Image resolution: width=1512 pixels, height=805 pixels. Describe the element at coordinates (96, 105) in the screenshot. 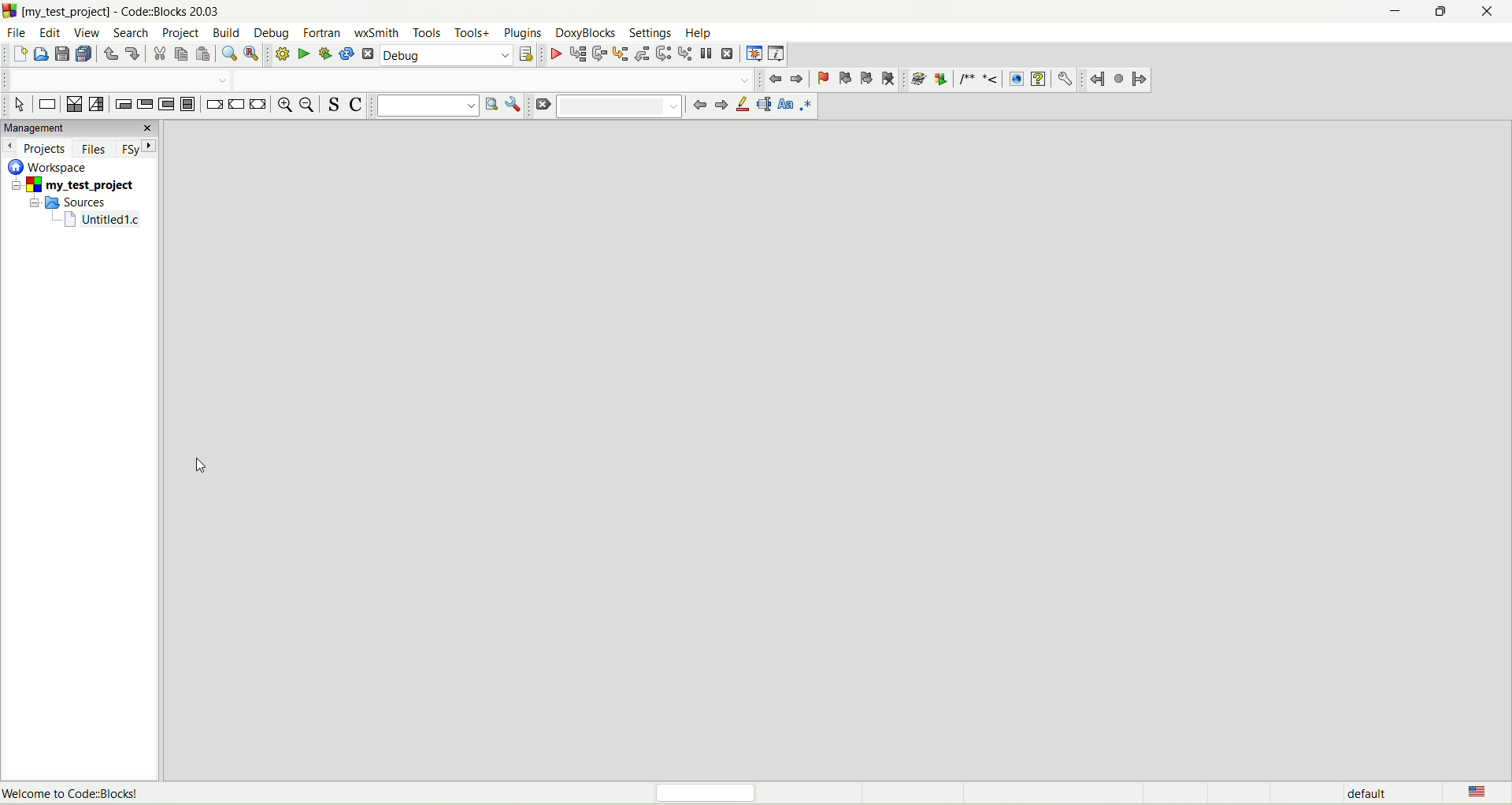

I see `selection` at that location.